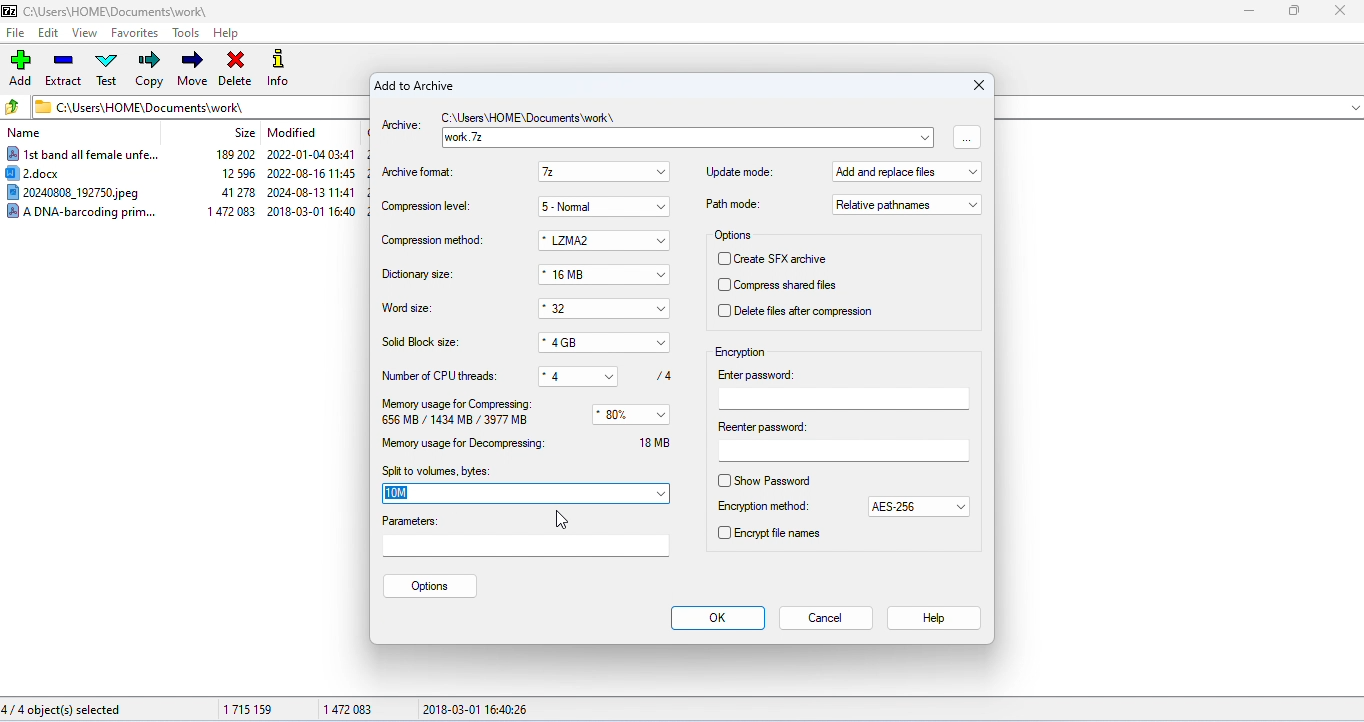 This screenshot has height=722, width=1364. What do you see at coordinates (401, 126) in the screenshot?
I see `archive` at bounding box center [401, 126].